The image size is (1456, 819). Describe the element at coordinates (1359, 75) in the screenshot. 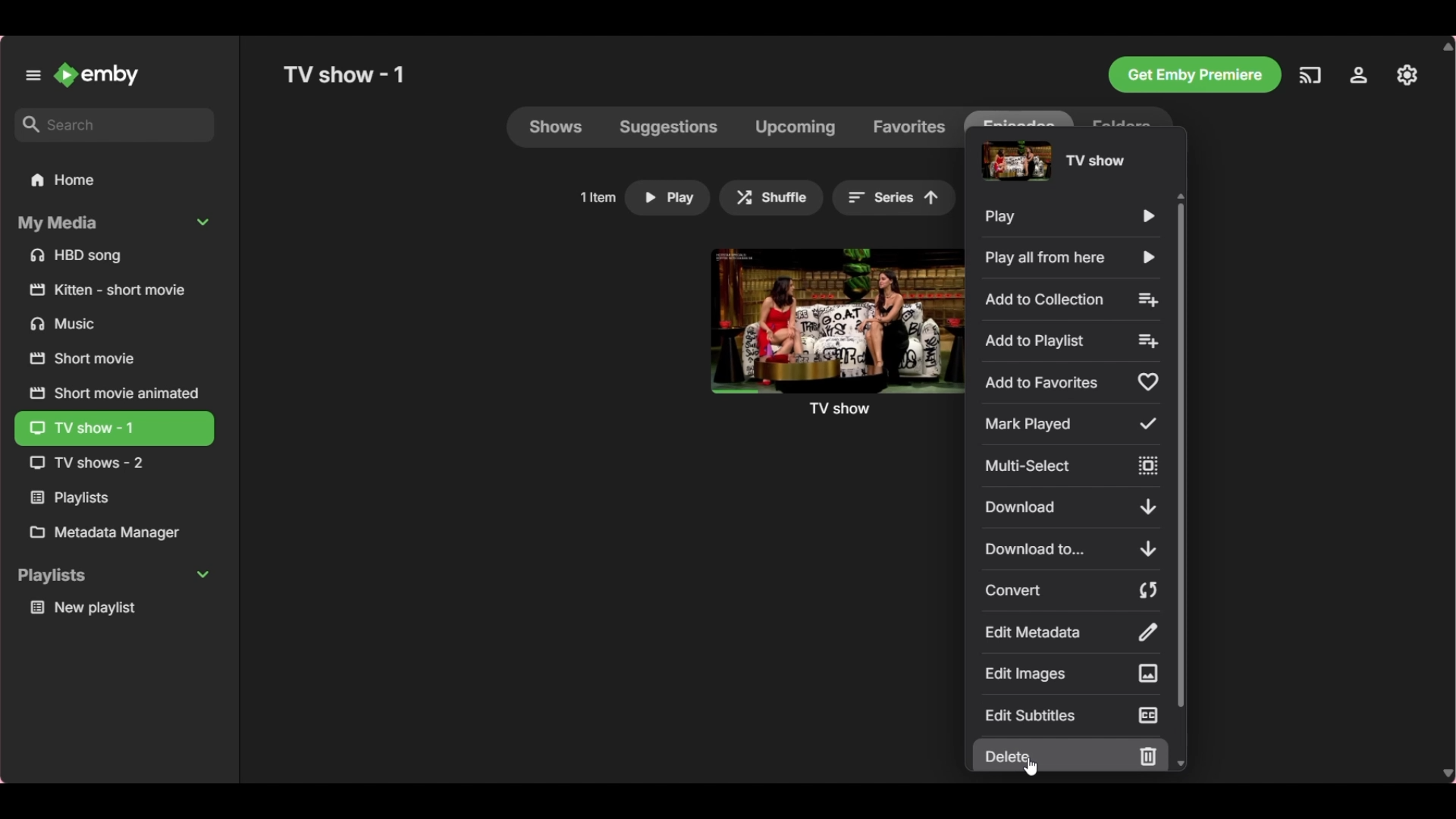

I see `Settings` at that location.